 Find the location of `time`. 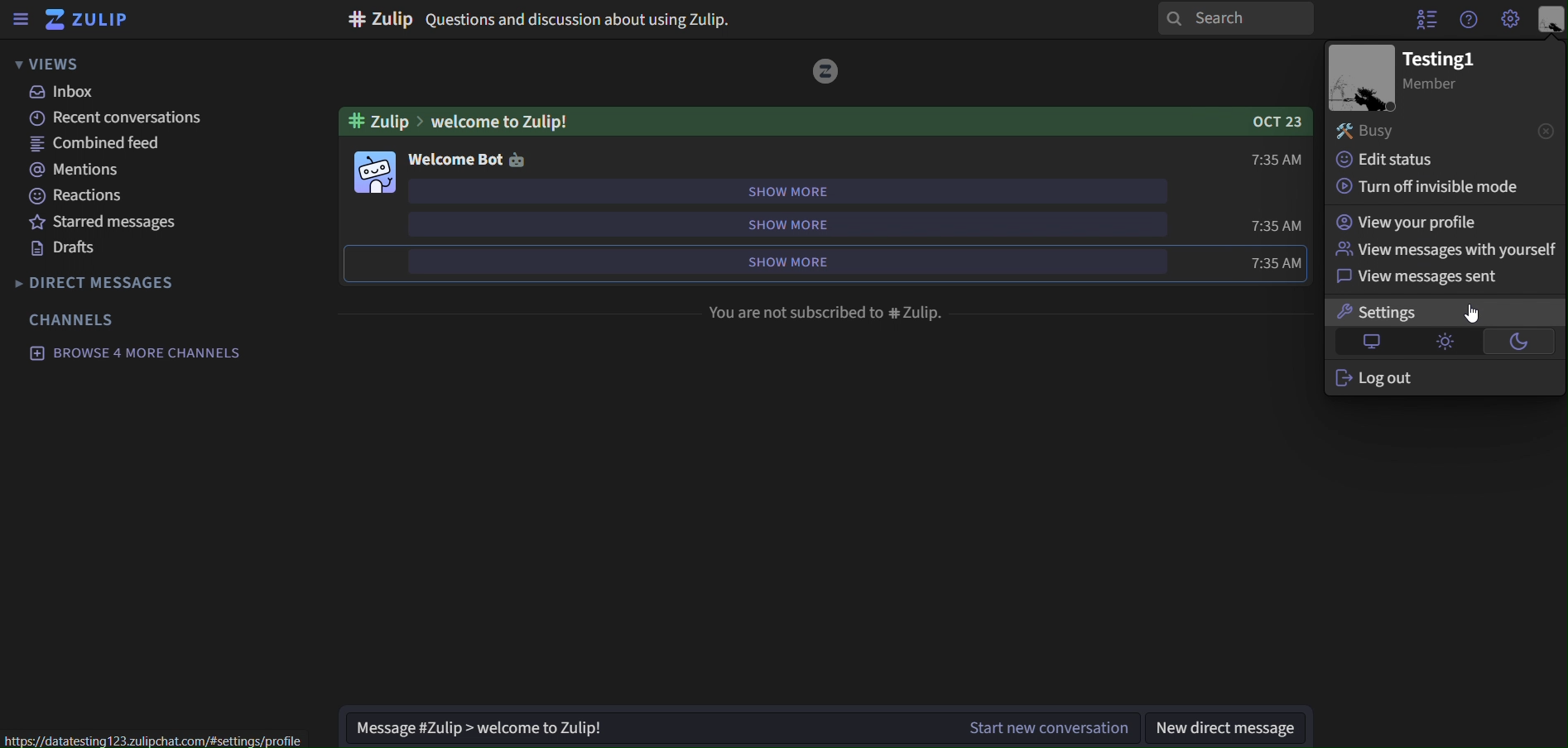

time is located at coordinates (1277, 263).